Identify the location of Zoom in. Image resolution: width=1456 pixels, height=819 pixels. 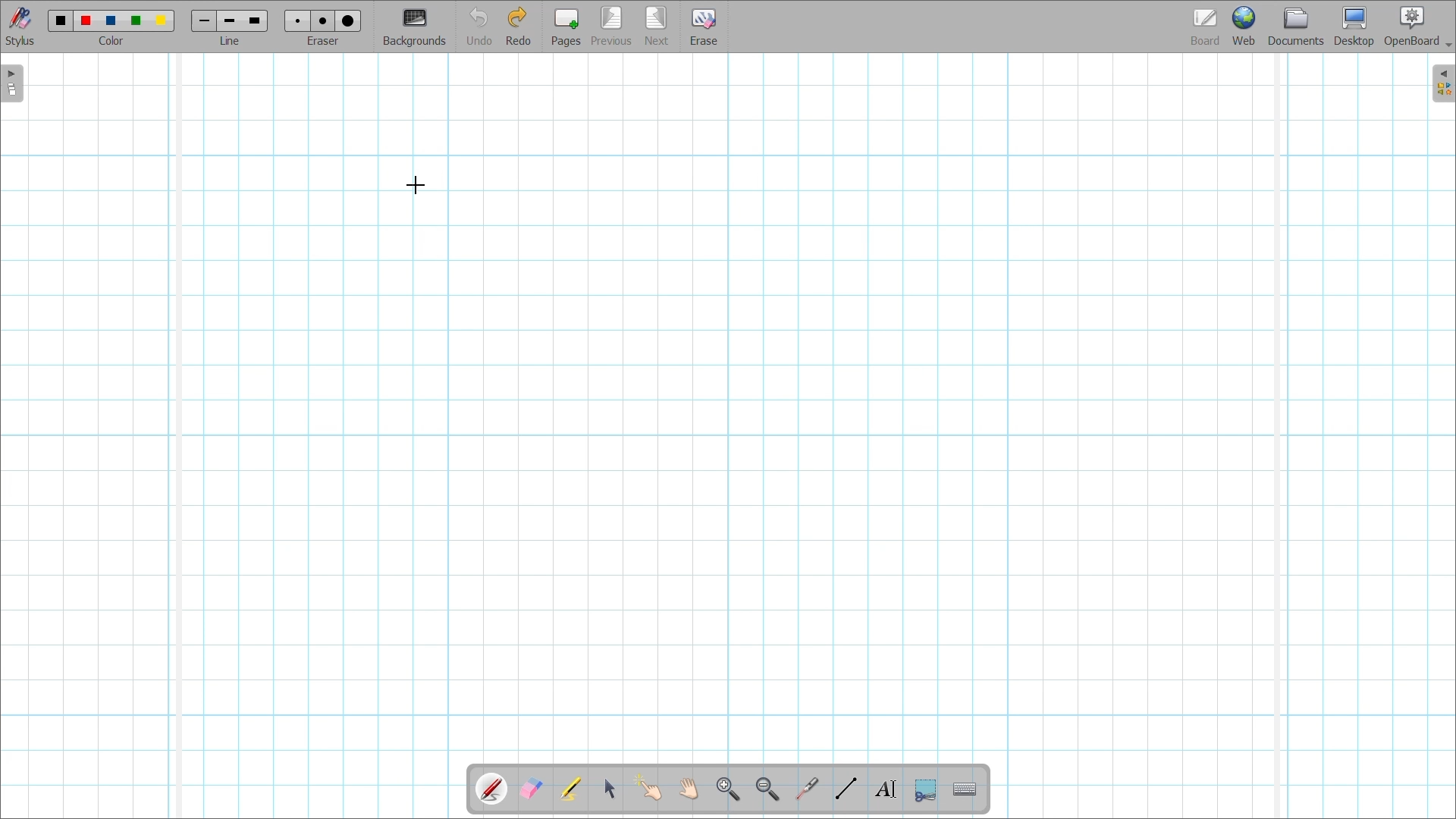
(727, 789).